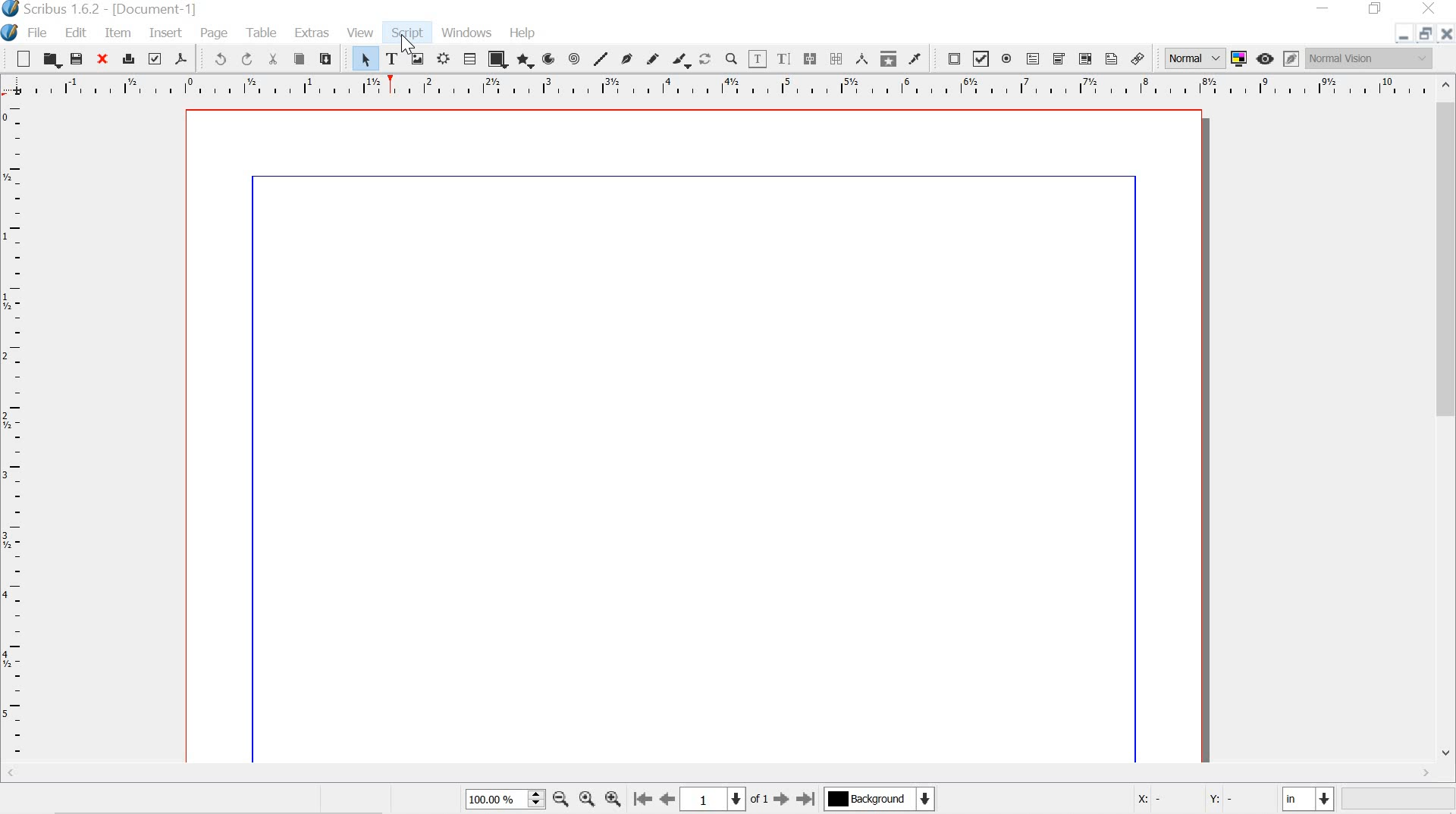 This screenshot has width=1456, height=814. What do you see at coordinates (101, 60) in the screenshot?
I see `close` at bounding box center [101, 60].